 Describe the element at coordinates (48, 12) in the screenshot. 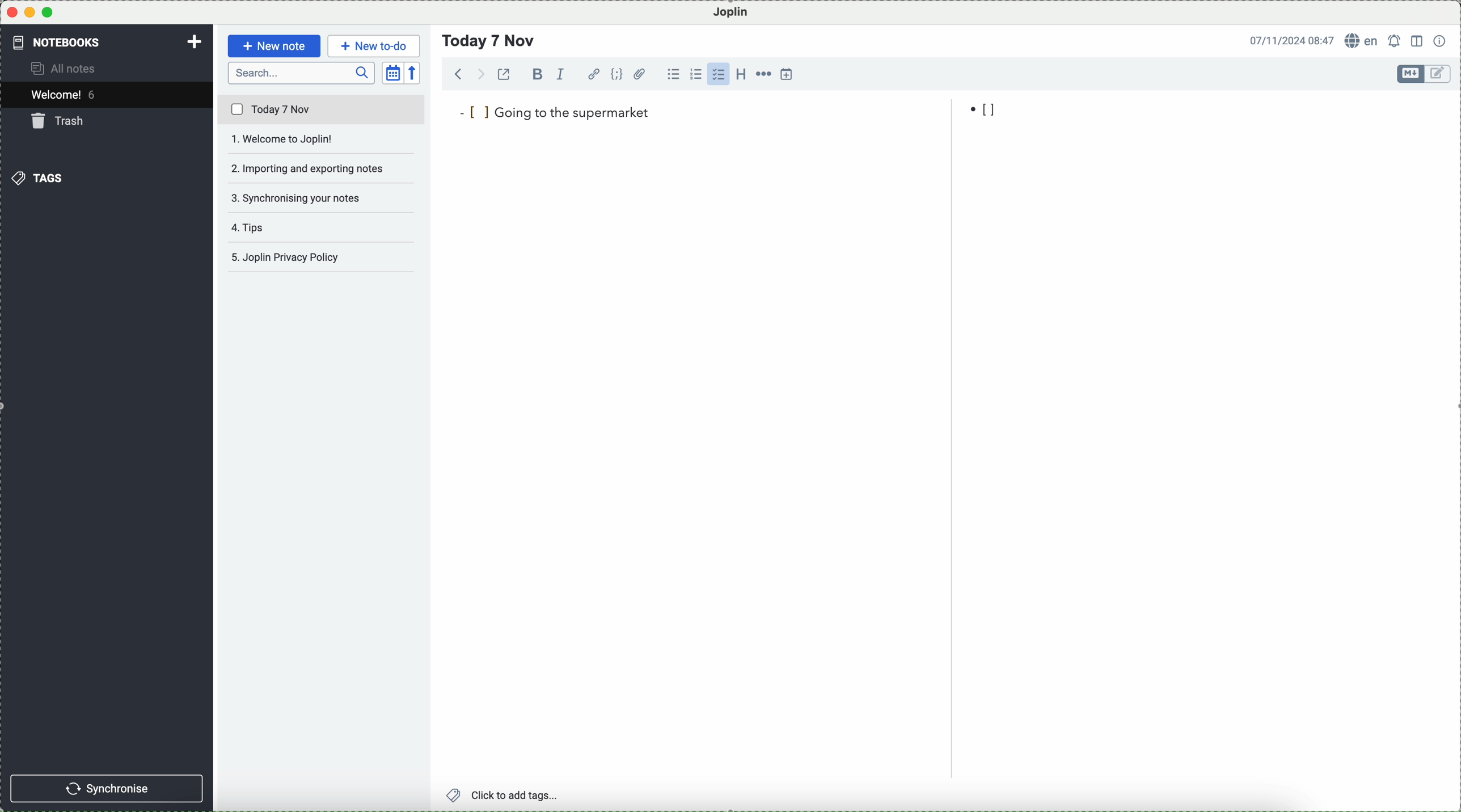

I see `maximize` at that location.